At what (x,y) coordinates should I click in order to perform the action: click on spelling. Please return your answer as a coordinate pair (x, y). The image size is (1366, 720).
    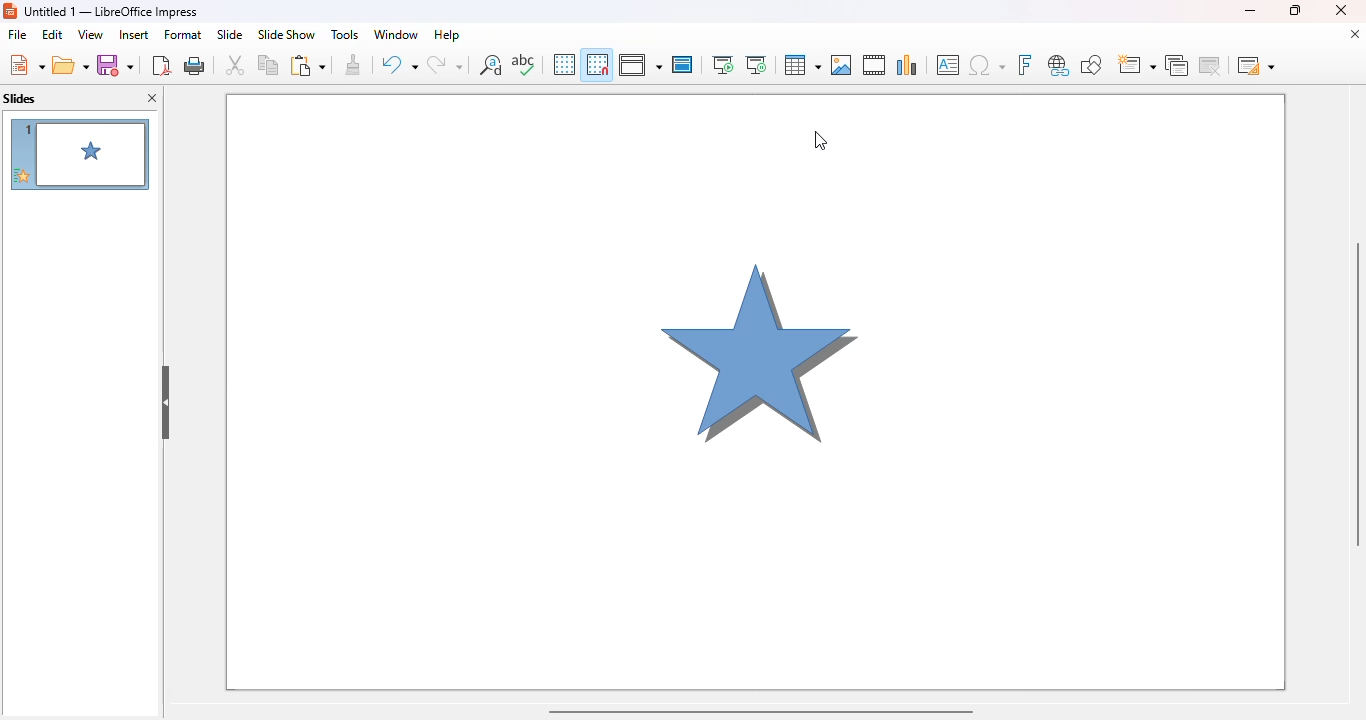
    Looking at the image, I should click on (523, 63).